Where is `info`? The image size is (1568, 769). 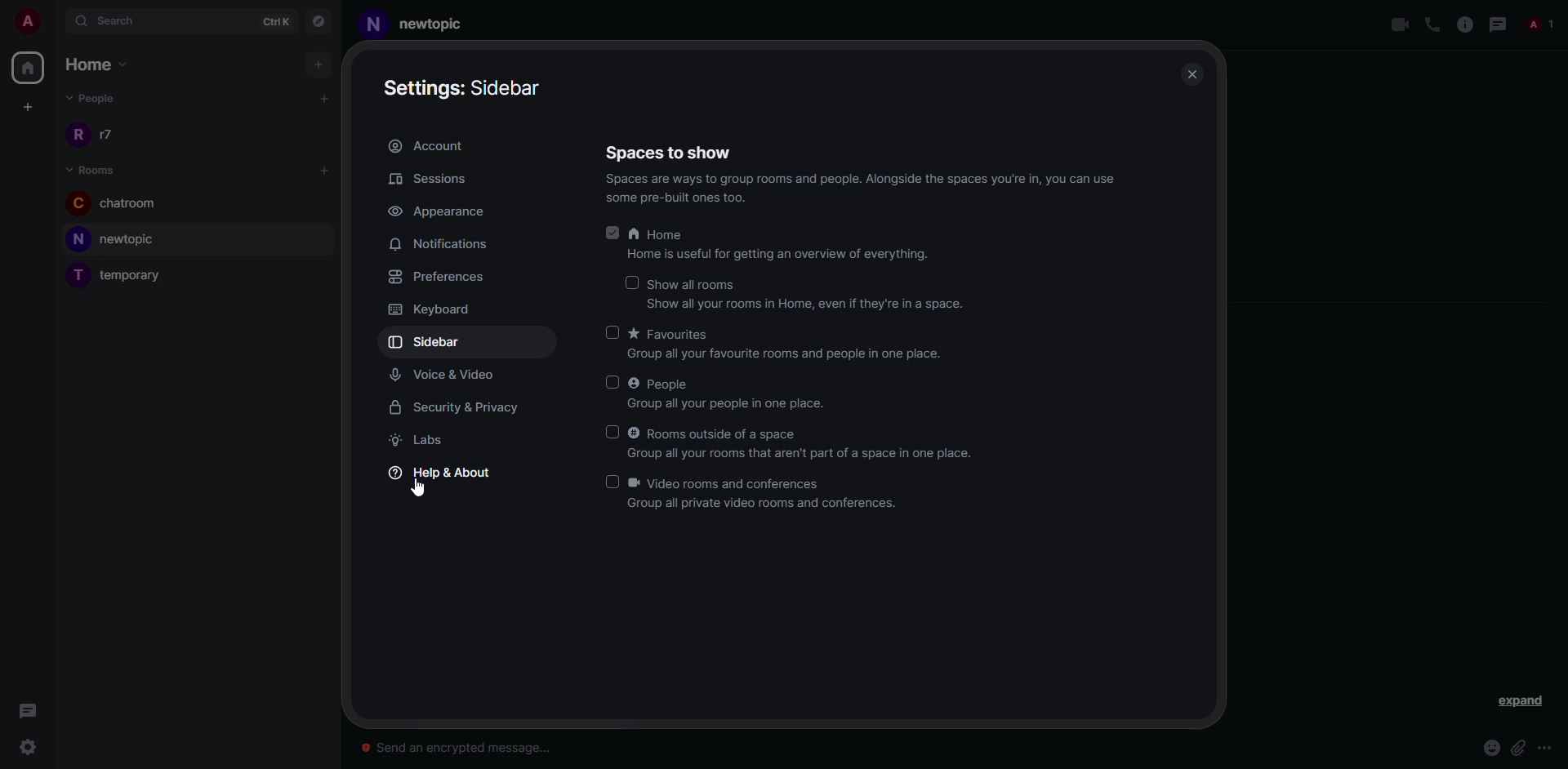 info is located at coordinates (730, 406).